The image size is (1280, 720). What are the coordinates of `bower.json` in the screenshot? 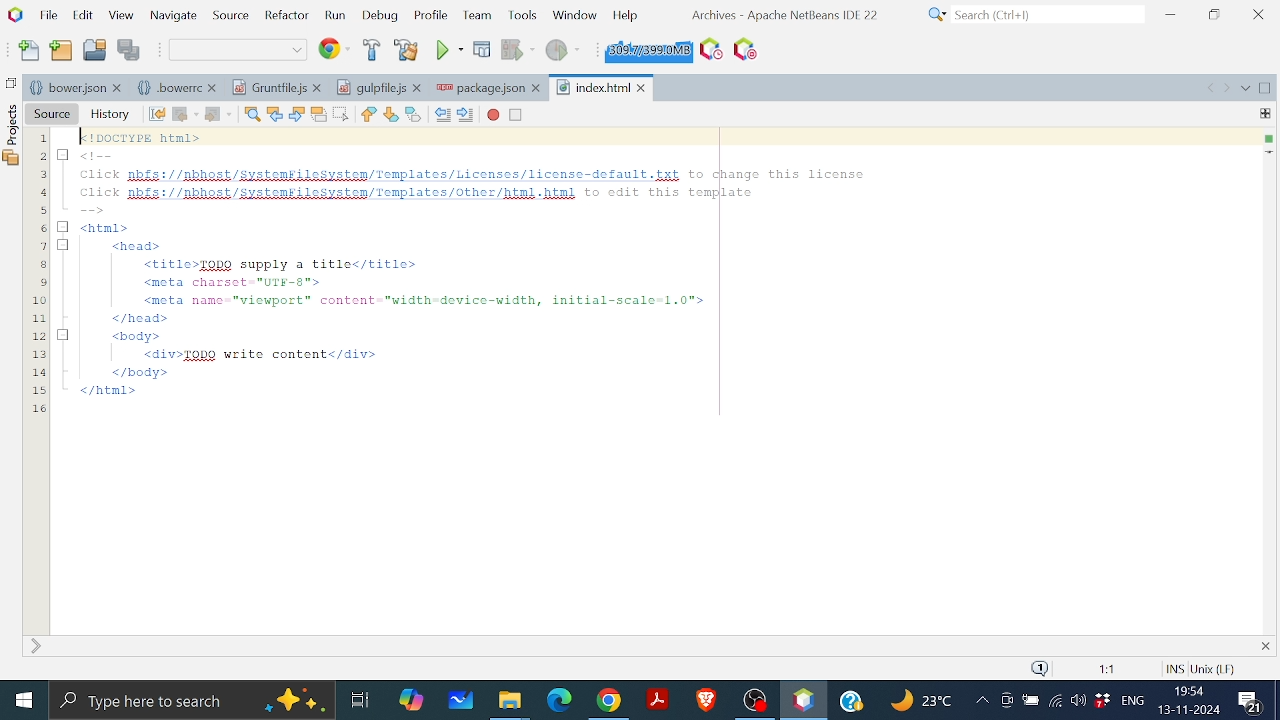 It's located at (67, 88).